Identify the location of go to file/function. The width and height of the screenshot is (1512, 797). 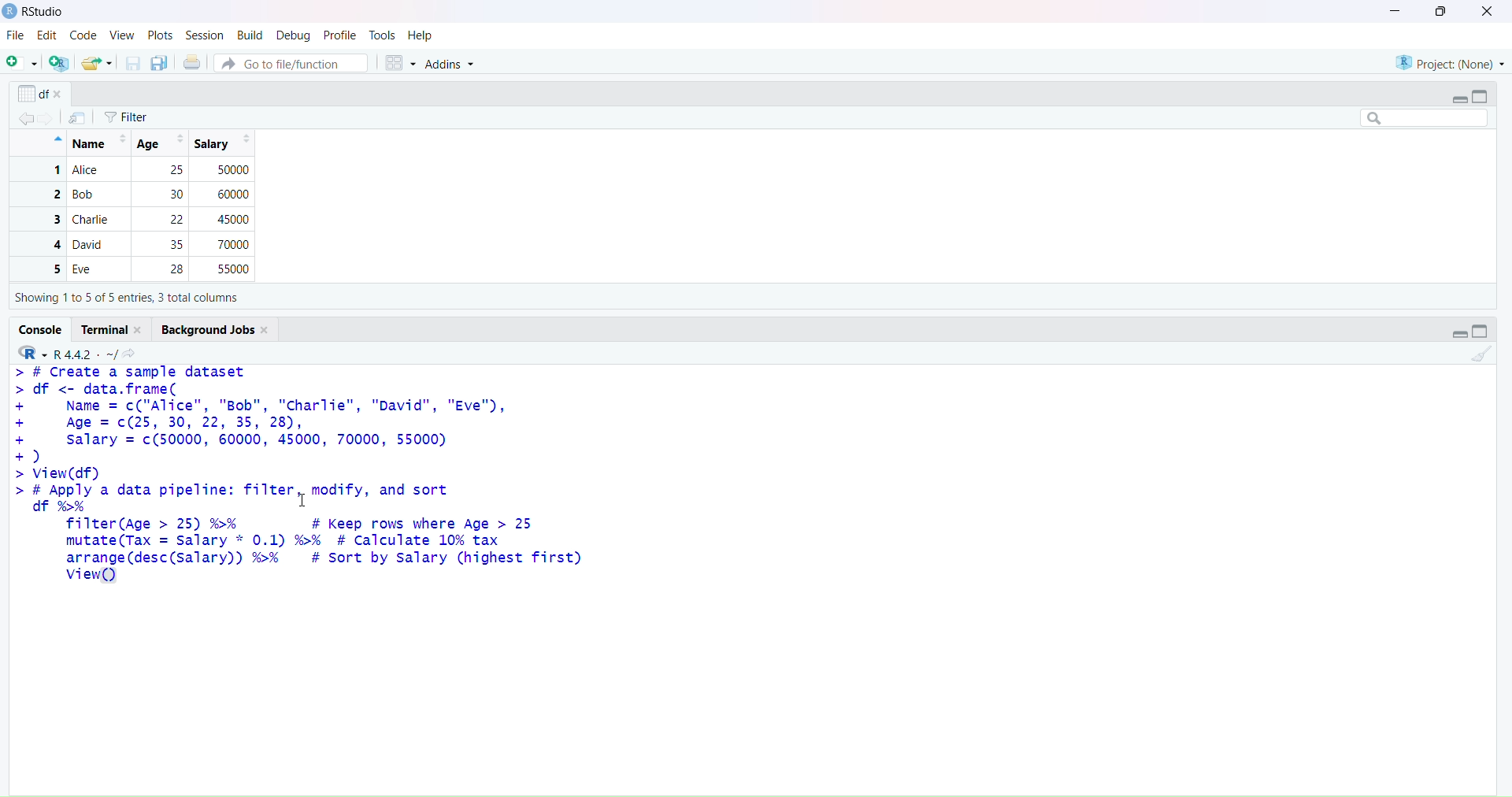
(291, 63).